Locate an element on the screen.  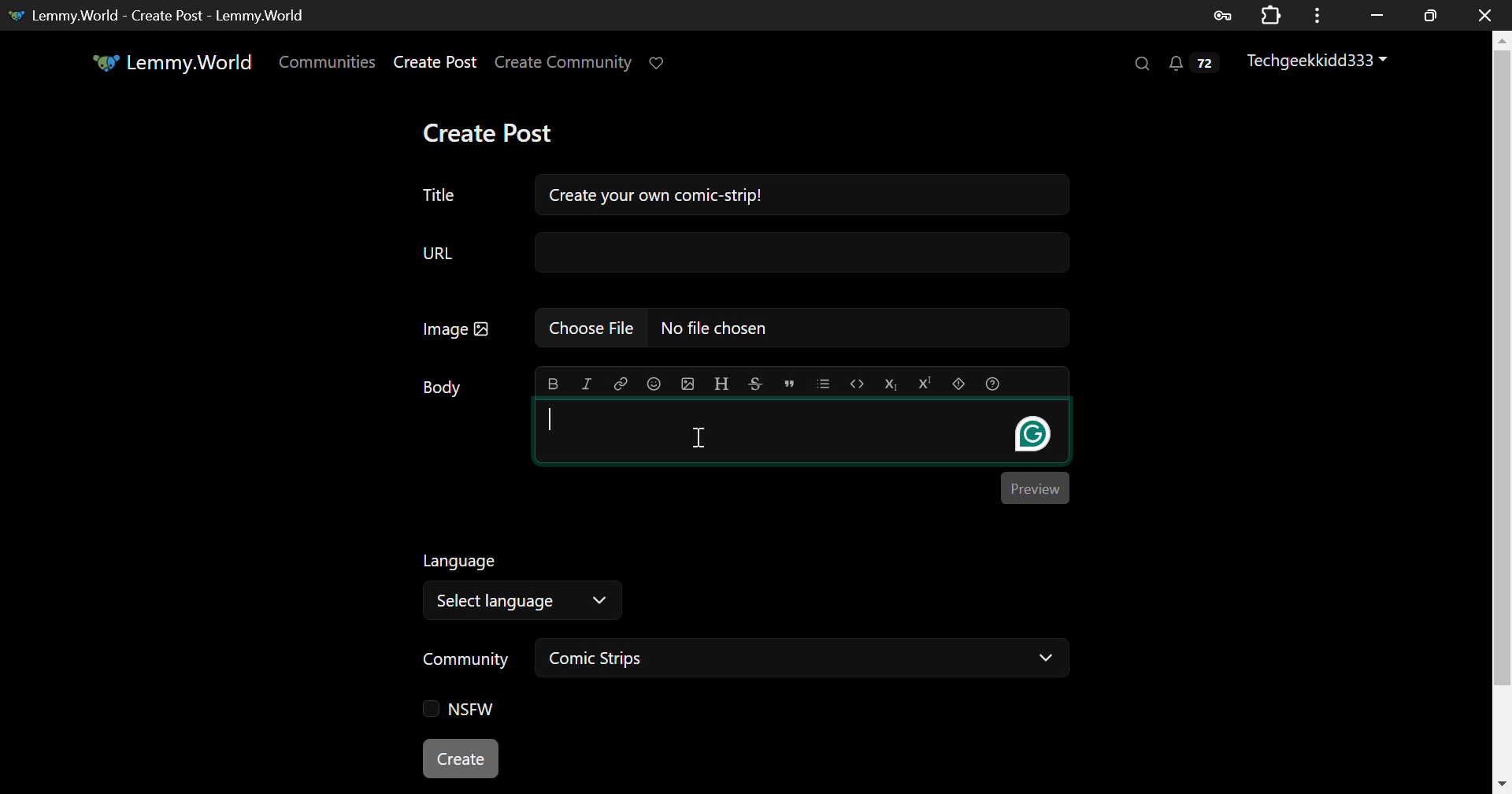
Italic is located at coordinates (587, 384).